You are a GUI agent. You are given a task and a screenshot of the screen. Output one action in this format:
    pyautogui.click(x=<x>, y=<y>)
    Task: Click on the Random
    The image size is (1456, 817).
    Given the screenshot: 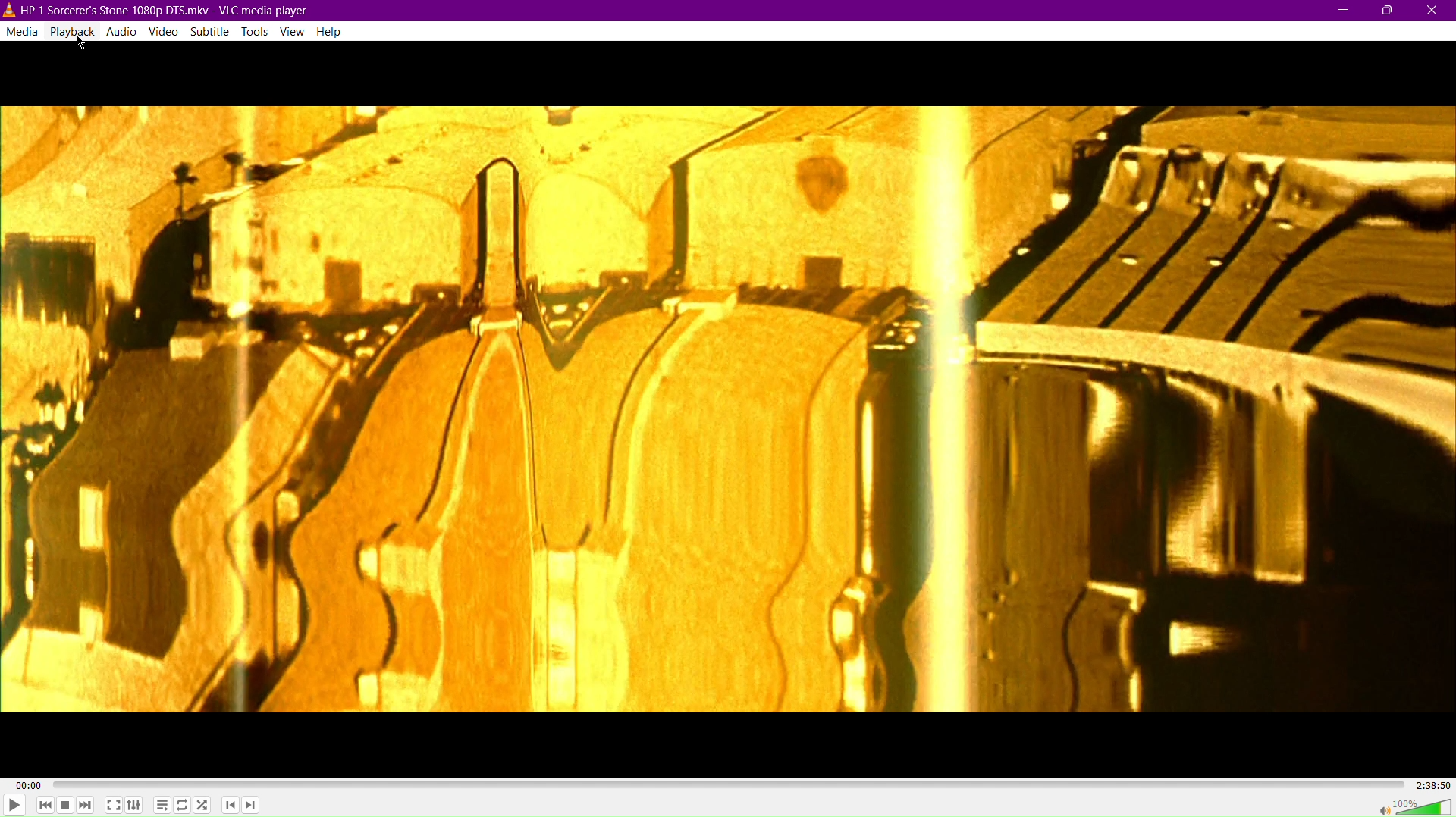 What is the action you would take?
    pyautogui.click(x=204, y=806)
    